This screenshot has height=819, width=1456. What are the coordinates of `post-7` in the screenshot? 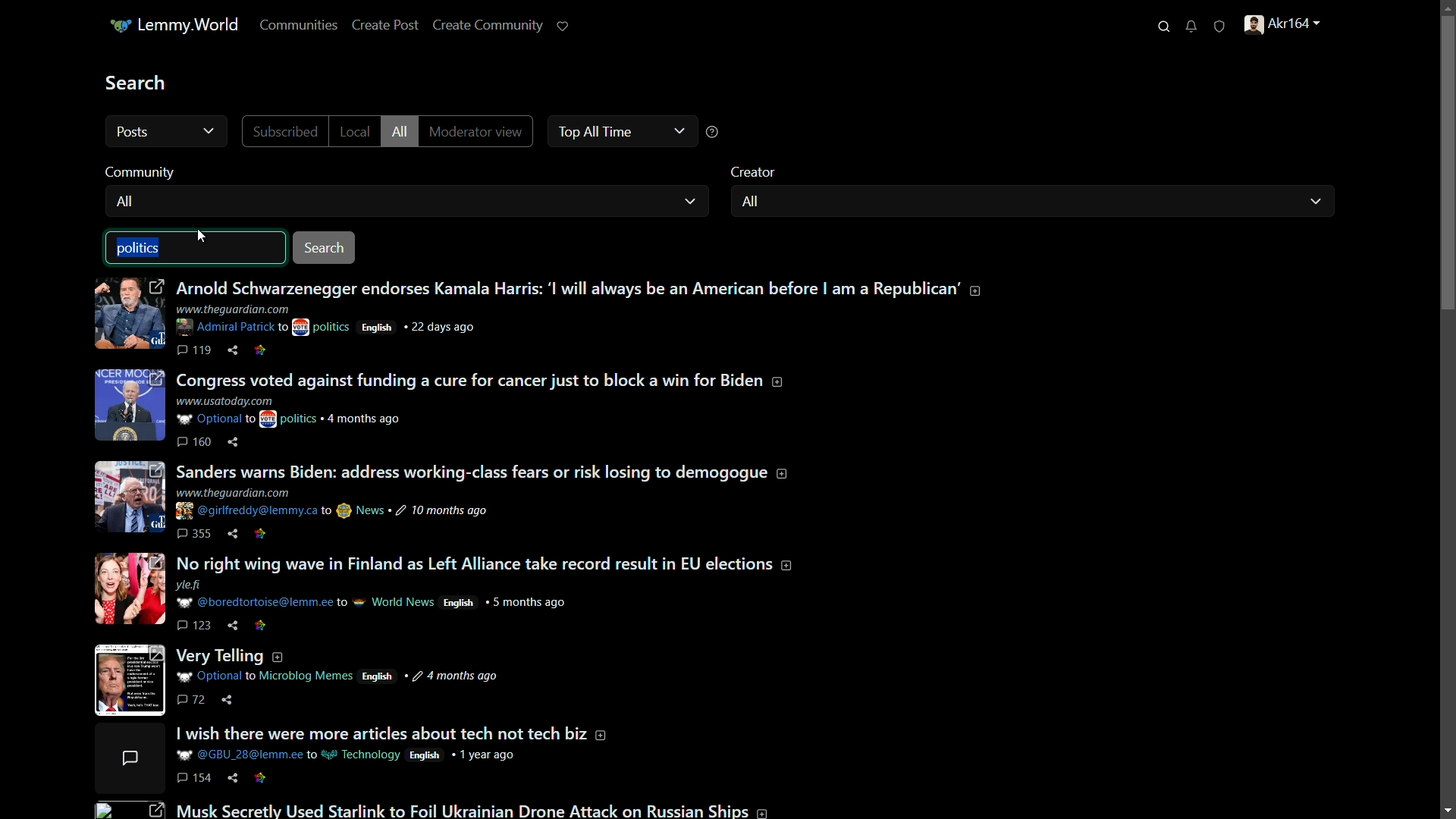 It's located at (433, 811).